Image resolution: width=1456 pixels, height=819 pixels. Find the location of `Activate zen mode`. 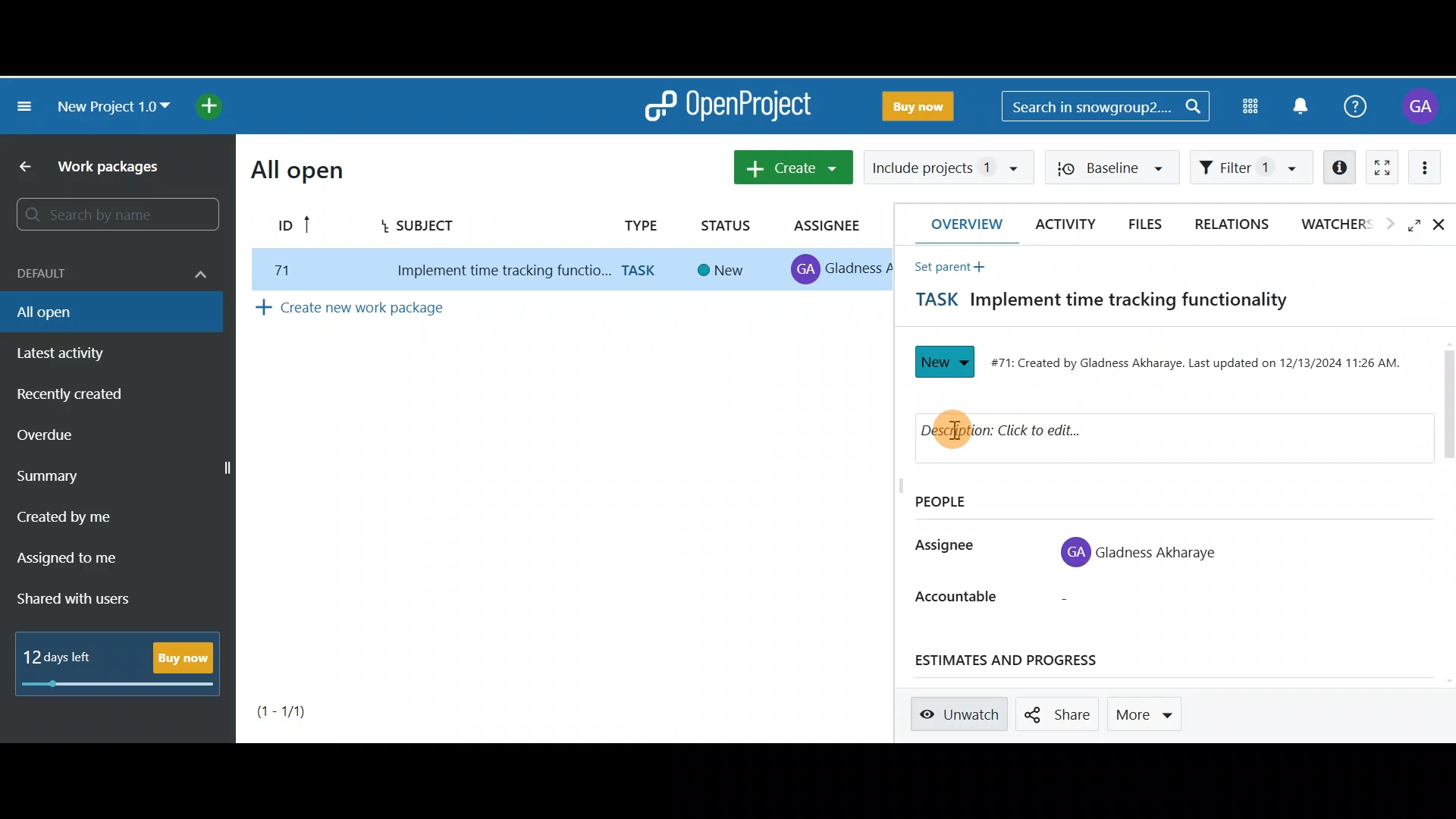

Activate zen mode is located at coordinates (1384, 168).